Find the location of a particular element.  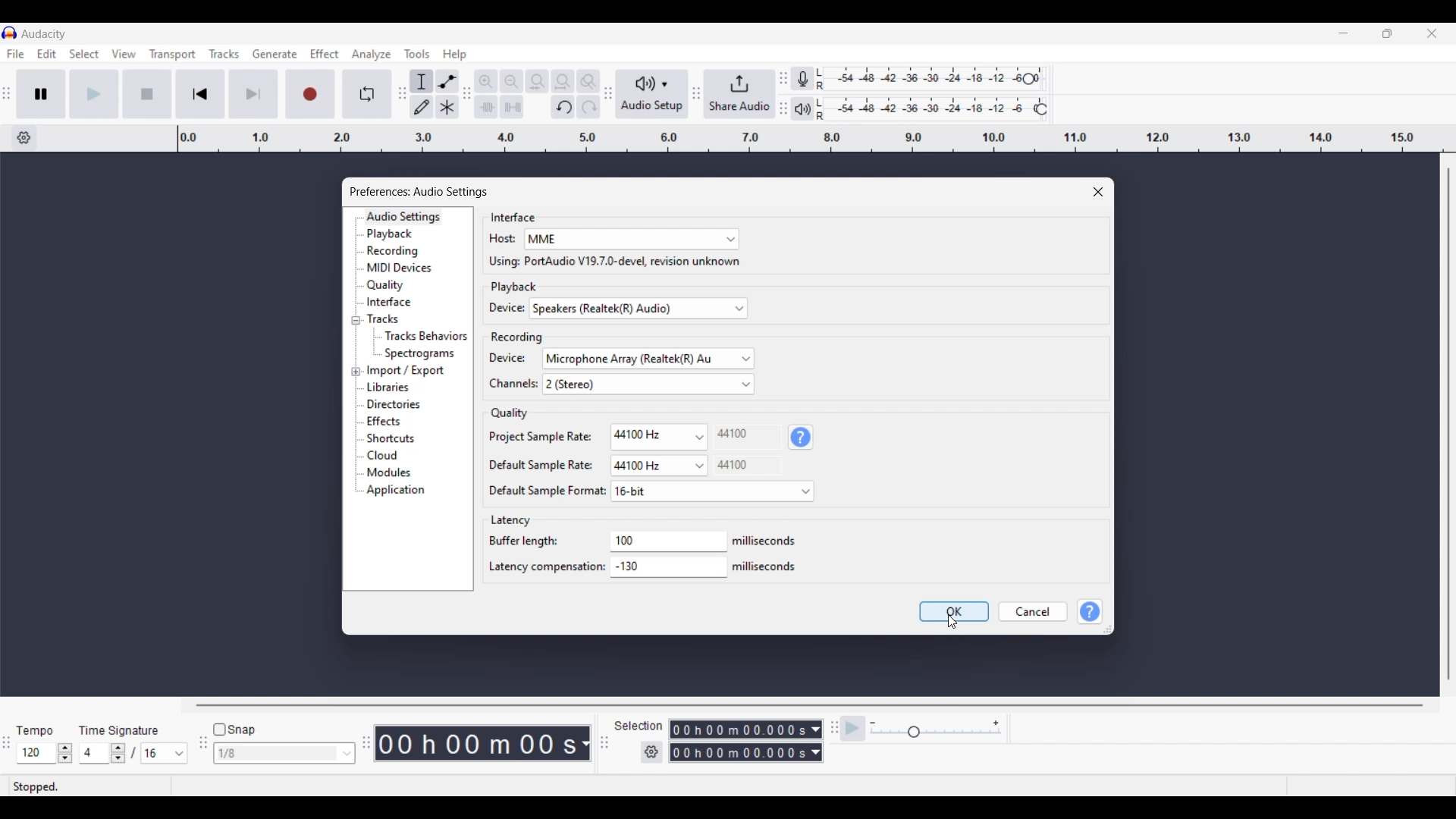

Device options is located at coordinates (648, 359).